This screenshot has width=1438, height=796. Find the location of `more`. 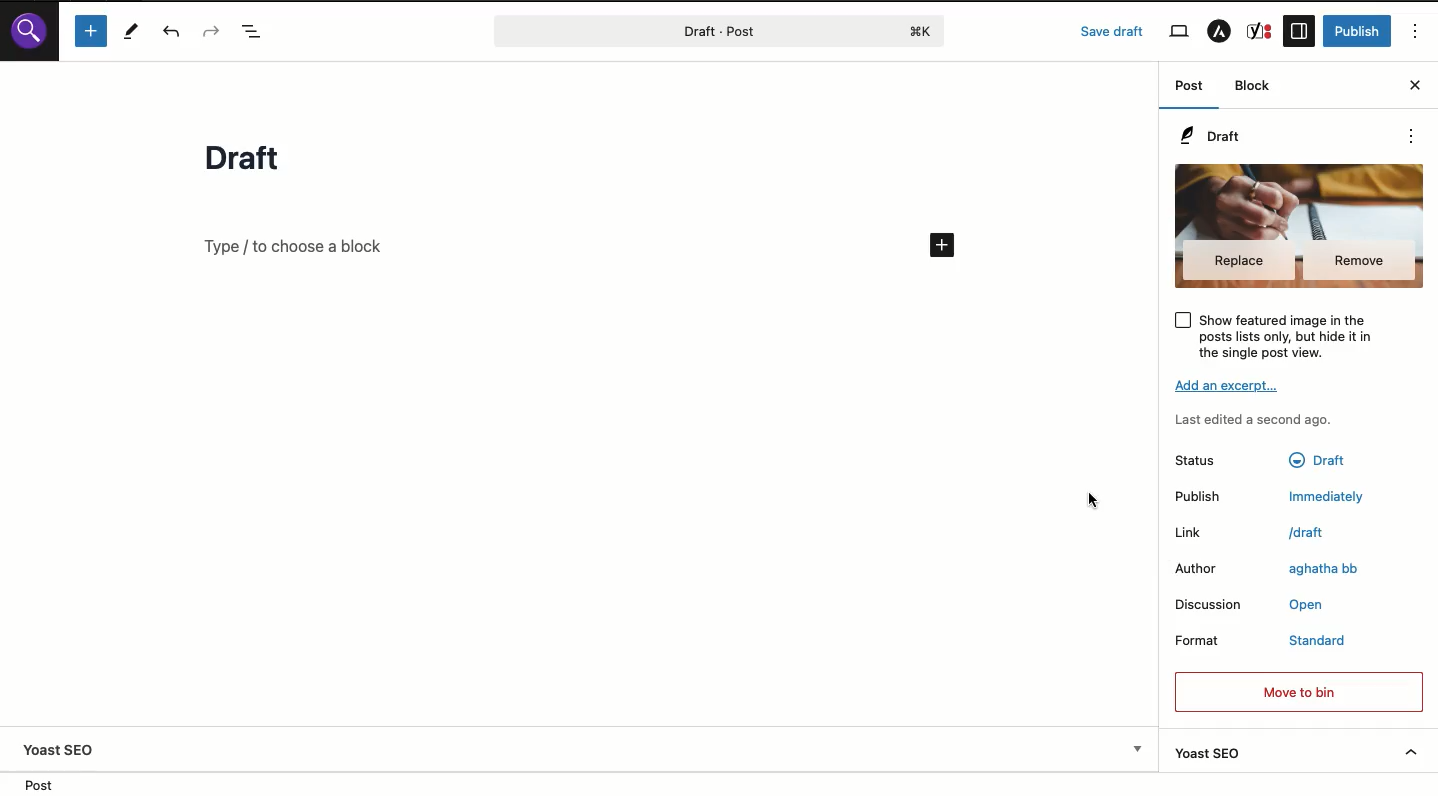

more is located at coordinates (1412, 135).